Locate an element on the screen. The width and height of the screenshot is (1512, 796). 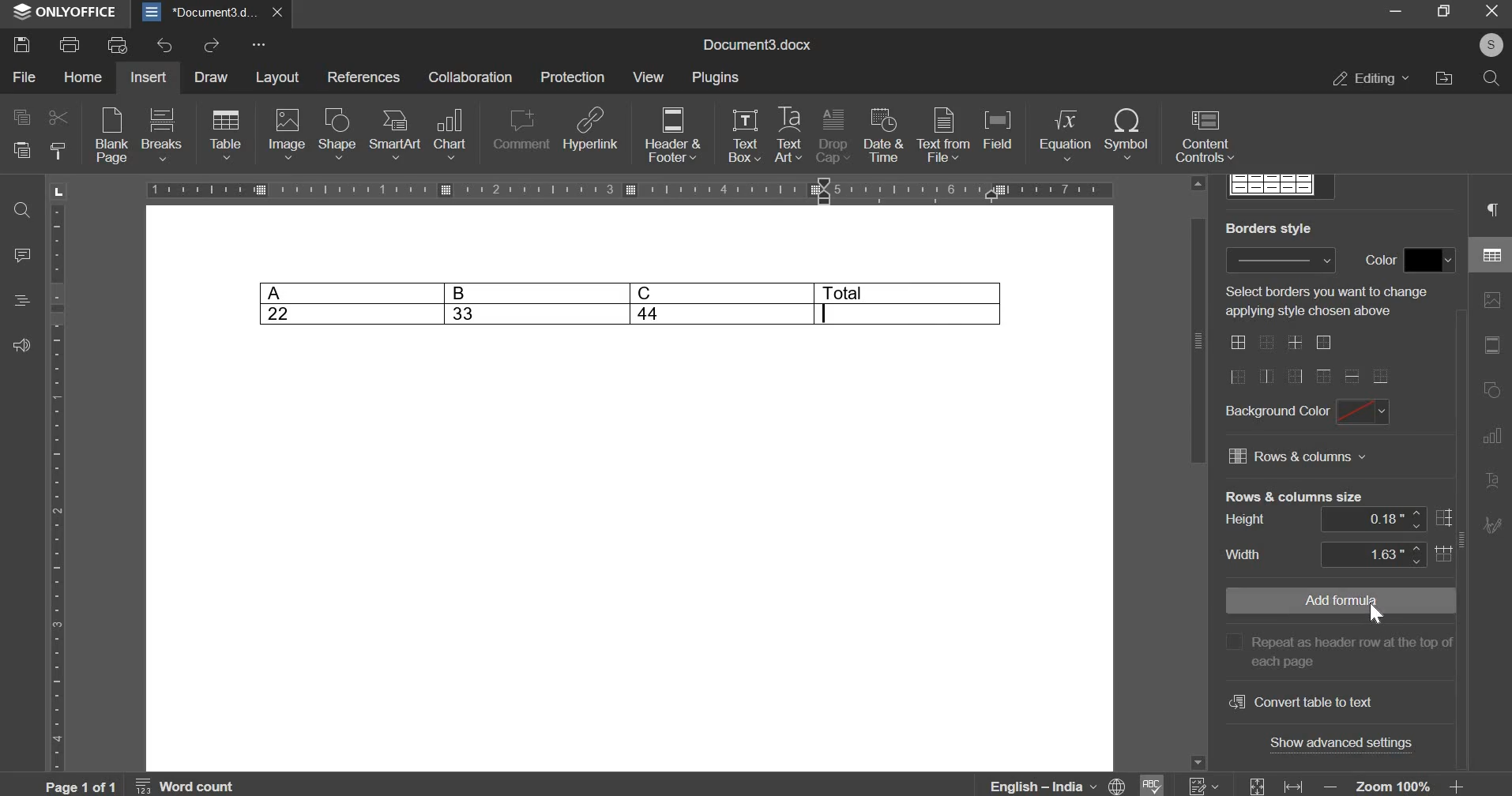
insert is located at coordinates (152, 77).